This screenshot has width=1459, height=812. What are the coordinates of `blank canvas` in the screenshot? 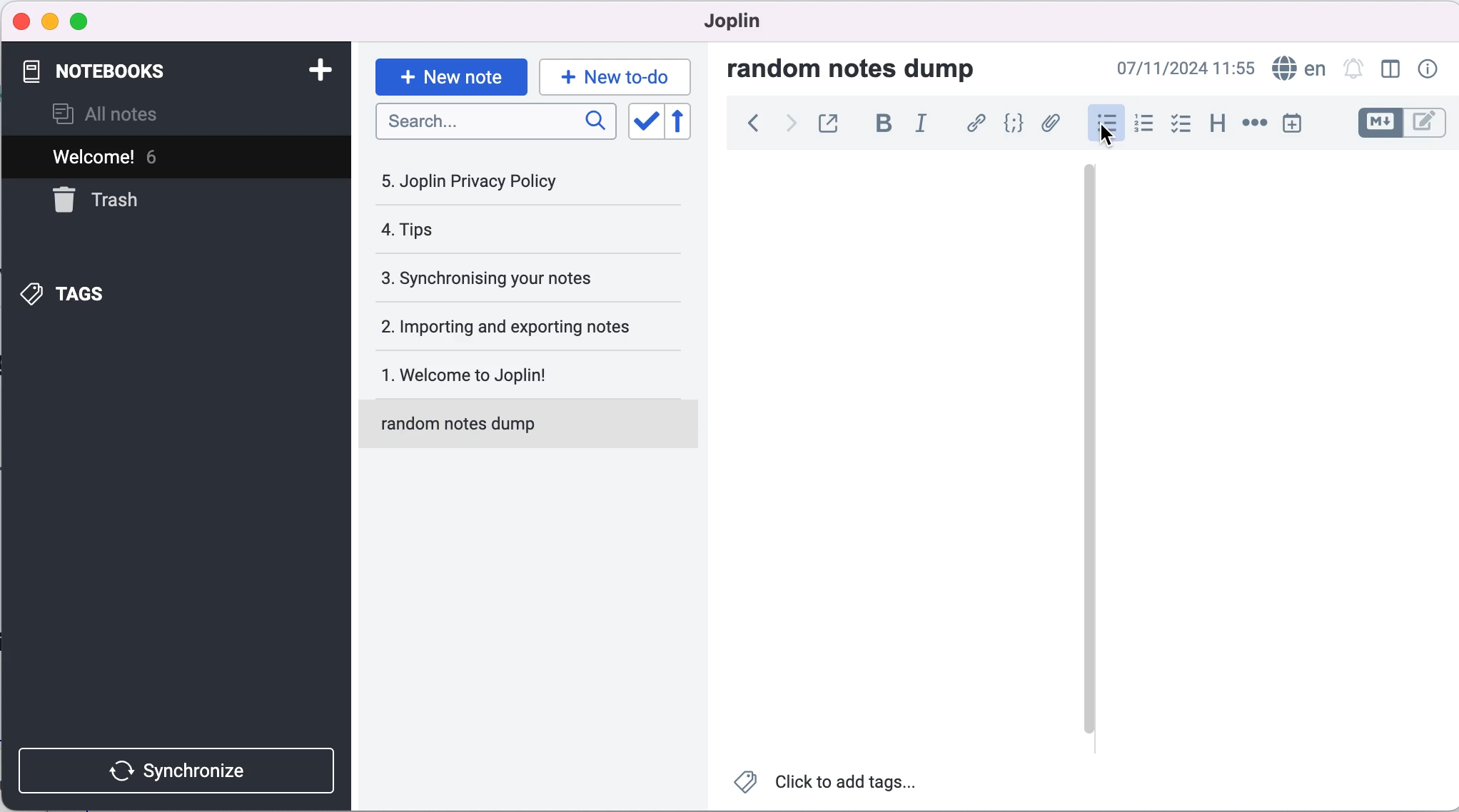 It's located at (889, 451).